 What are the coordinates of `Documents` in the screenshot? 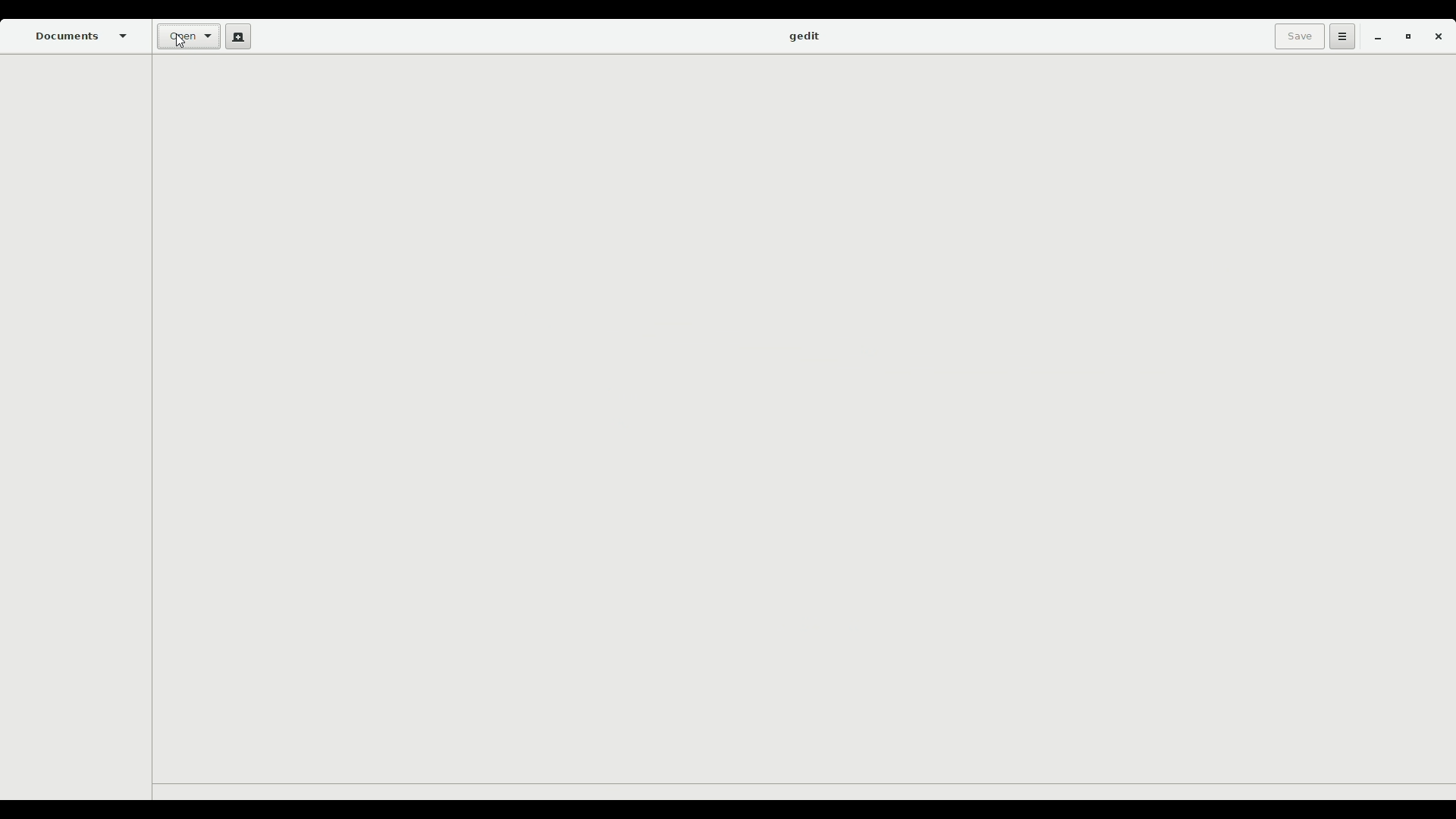 It's located at (83, 36).